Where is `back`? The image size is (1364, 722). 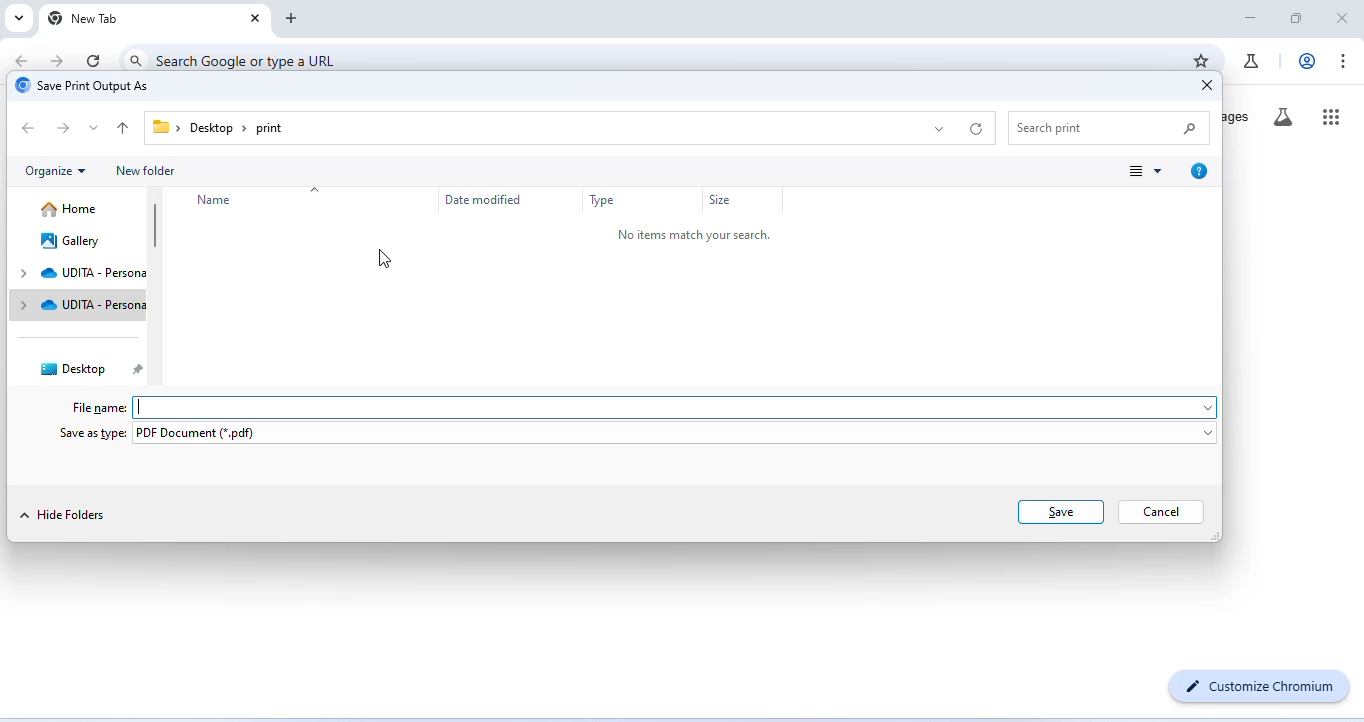
back is located at coordinates (30, 129).